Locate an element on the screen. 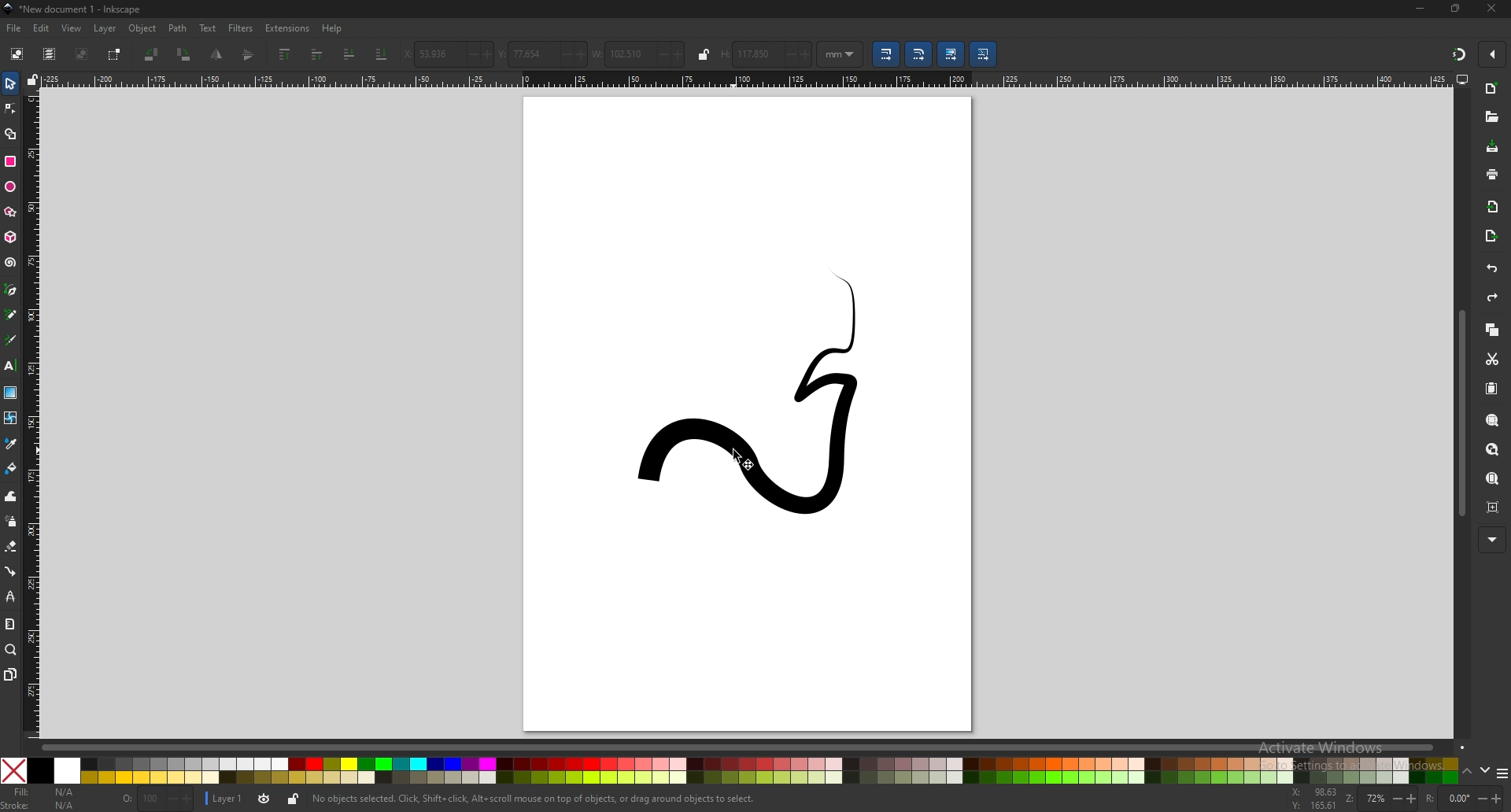  title is located at coordinates (78, 9).